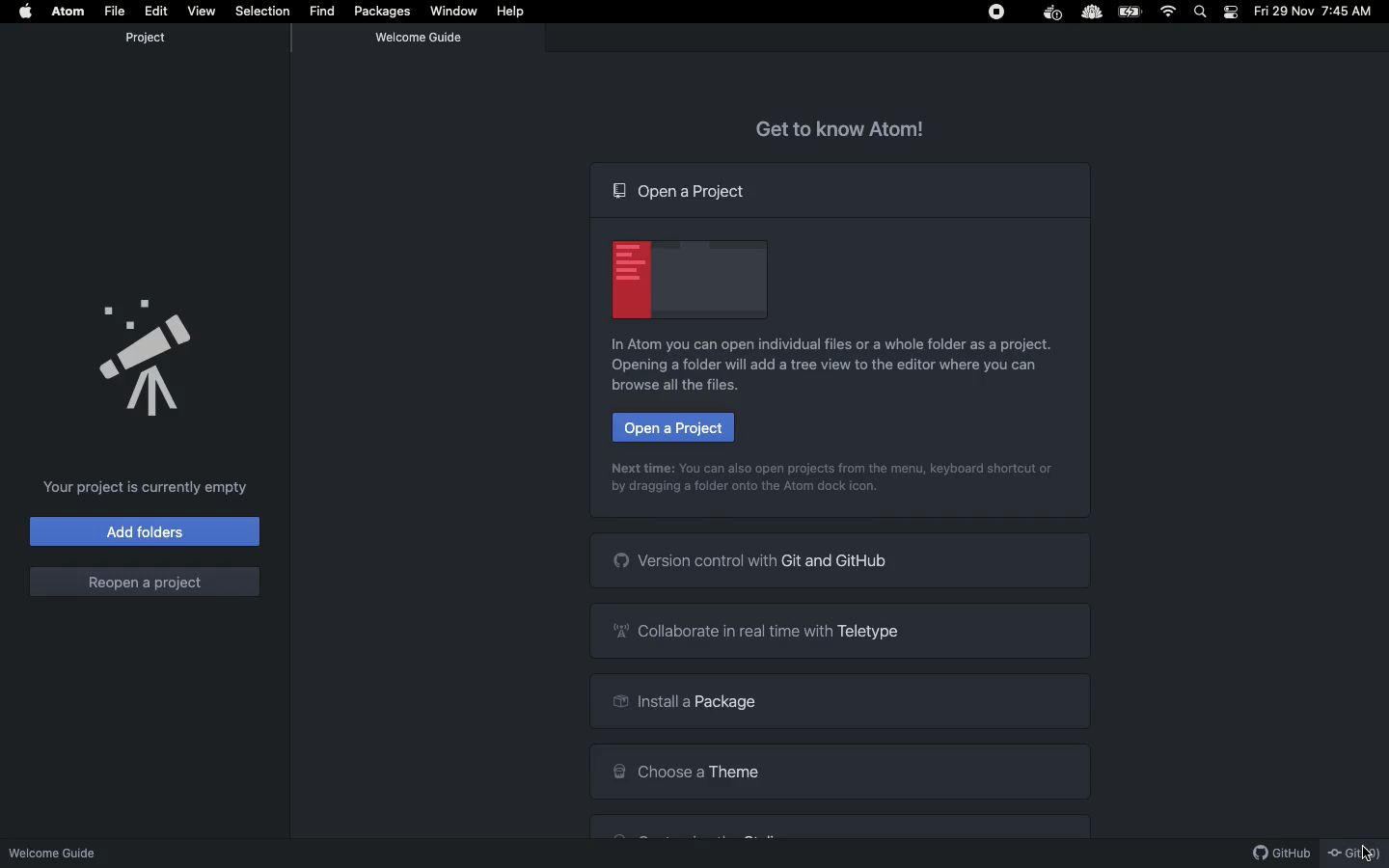 The image size is (1389, 868). I want to click on Add folders, so click(144, 532).